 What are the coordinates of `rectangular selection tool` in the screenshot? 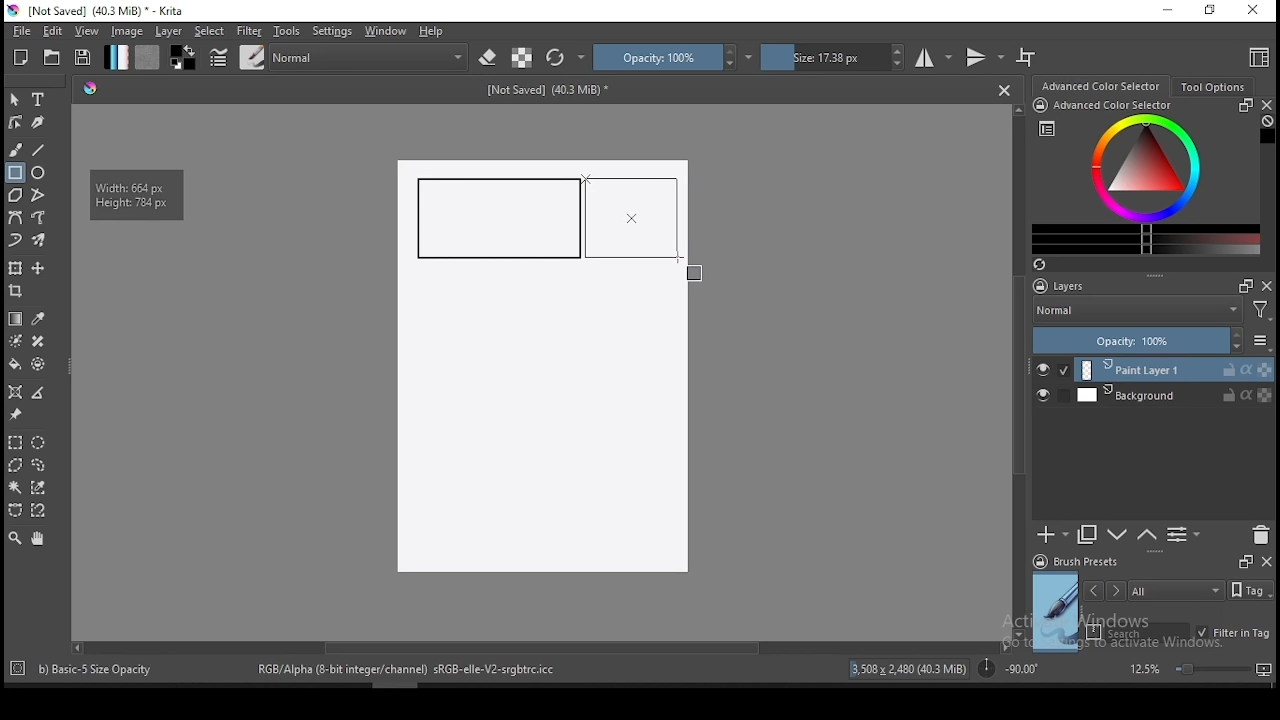 It's located at (14, 442).